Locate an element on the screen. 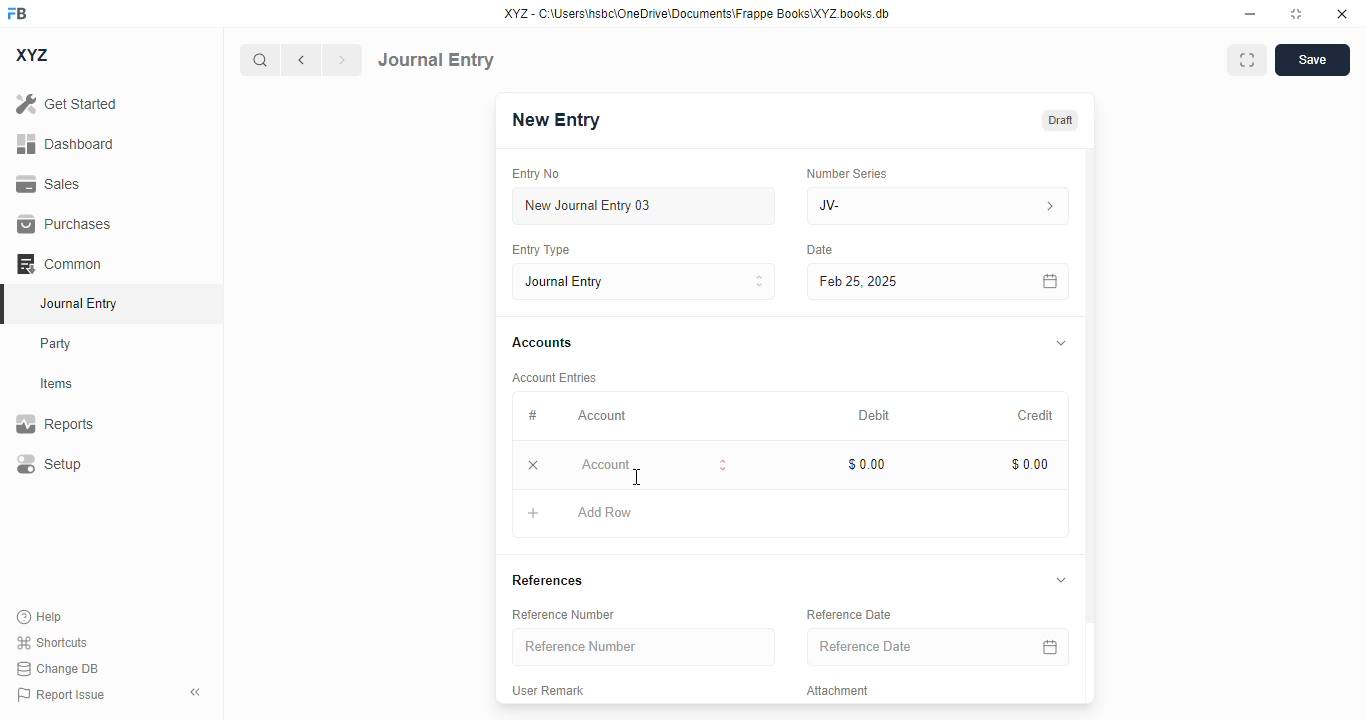 The width and height of the screenshot is (1366, 720). calendar icon is located at coordinates (1050, 646).